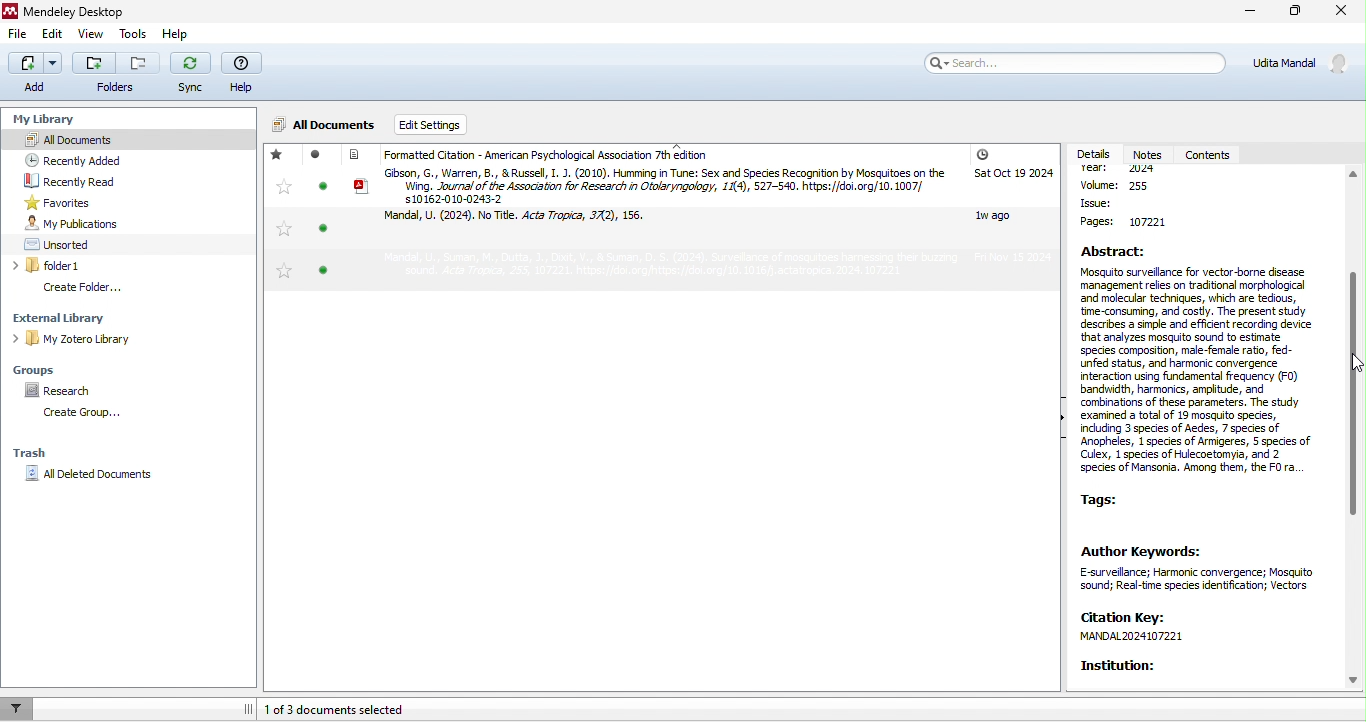 This screenshot has height=722, width=1366. I want to click on year, so click(1125, 170).